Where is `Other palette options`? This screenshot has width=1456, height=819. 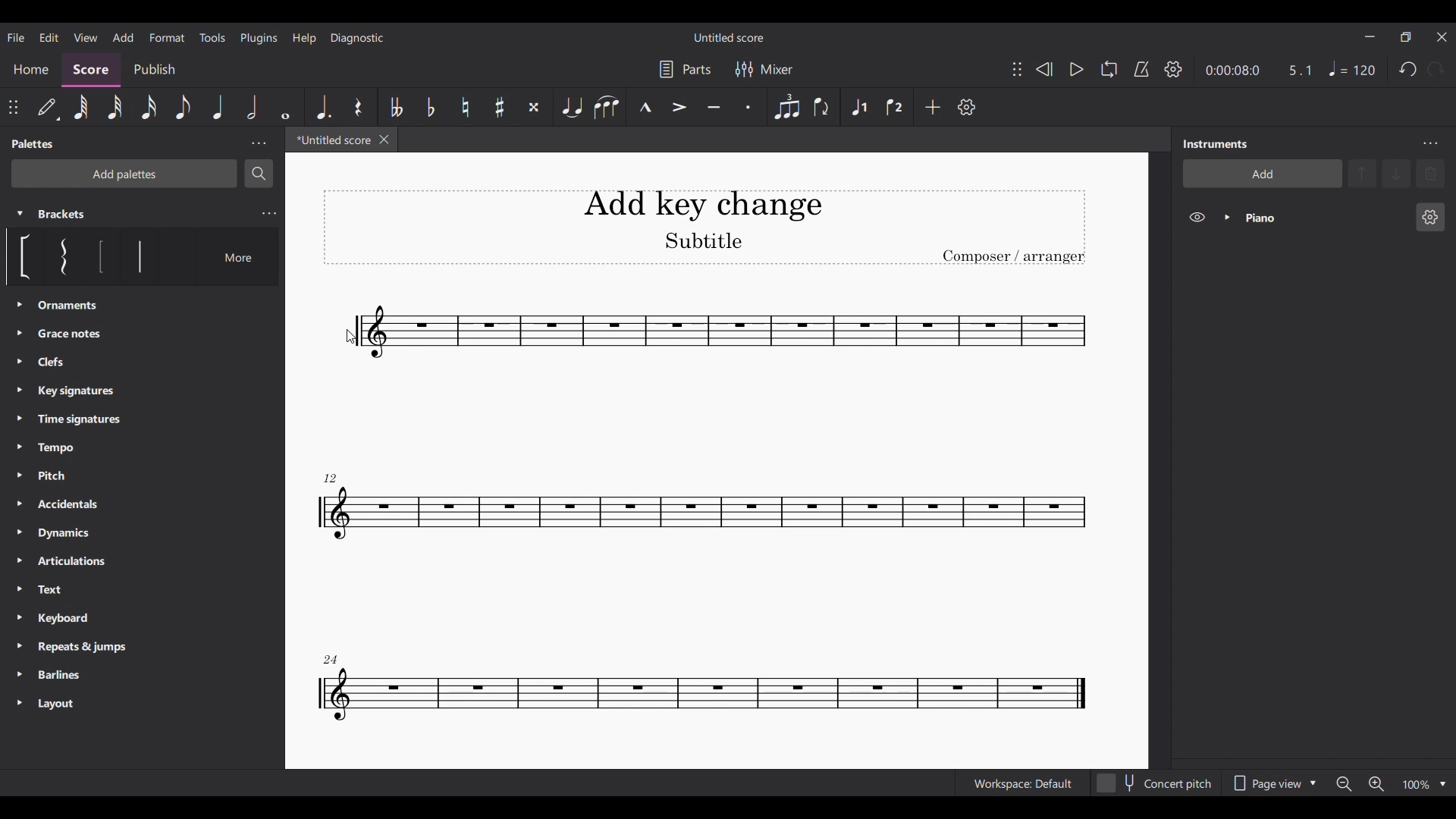 Other palette options is located at coordinates (77, 505).